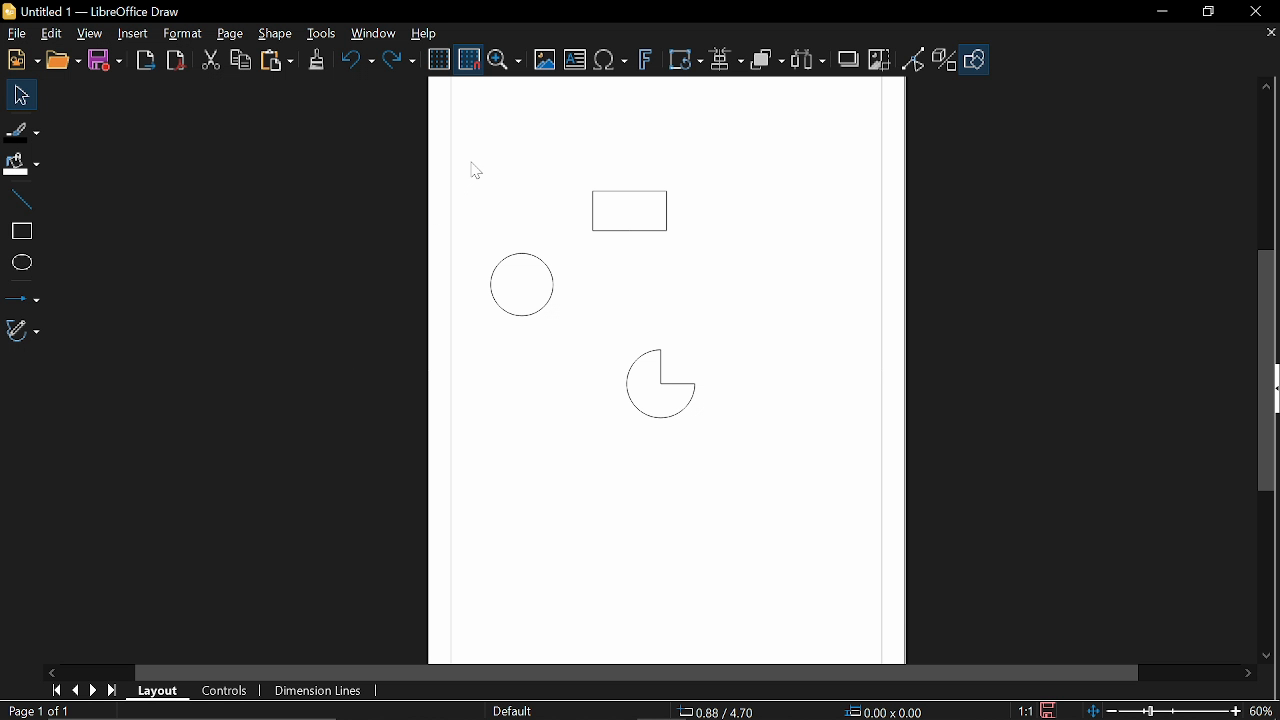 This screenshot has height=720, width=1280. I want to click on Edit, so click(50, 35).